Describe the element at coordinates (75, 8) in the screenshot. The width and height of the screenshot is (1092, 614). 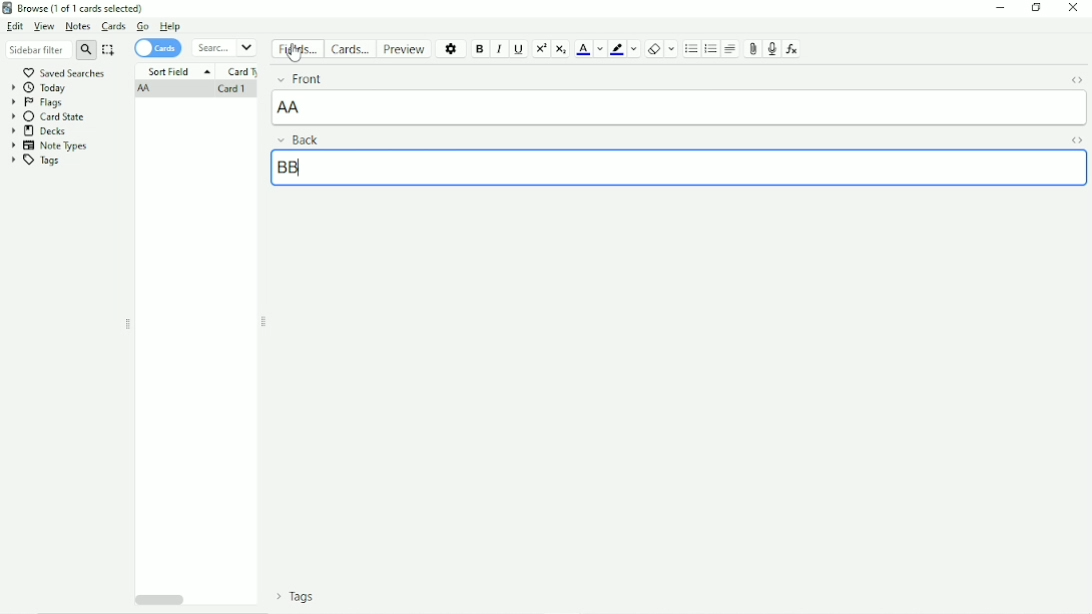
I see `Browse (1 of 1 cards selected)` at that location.